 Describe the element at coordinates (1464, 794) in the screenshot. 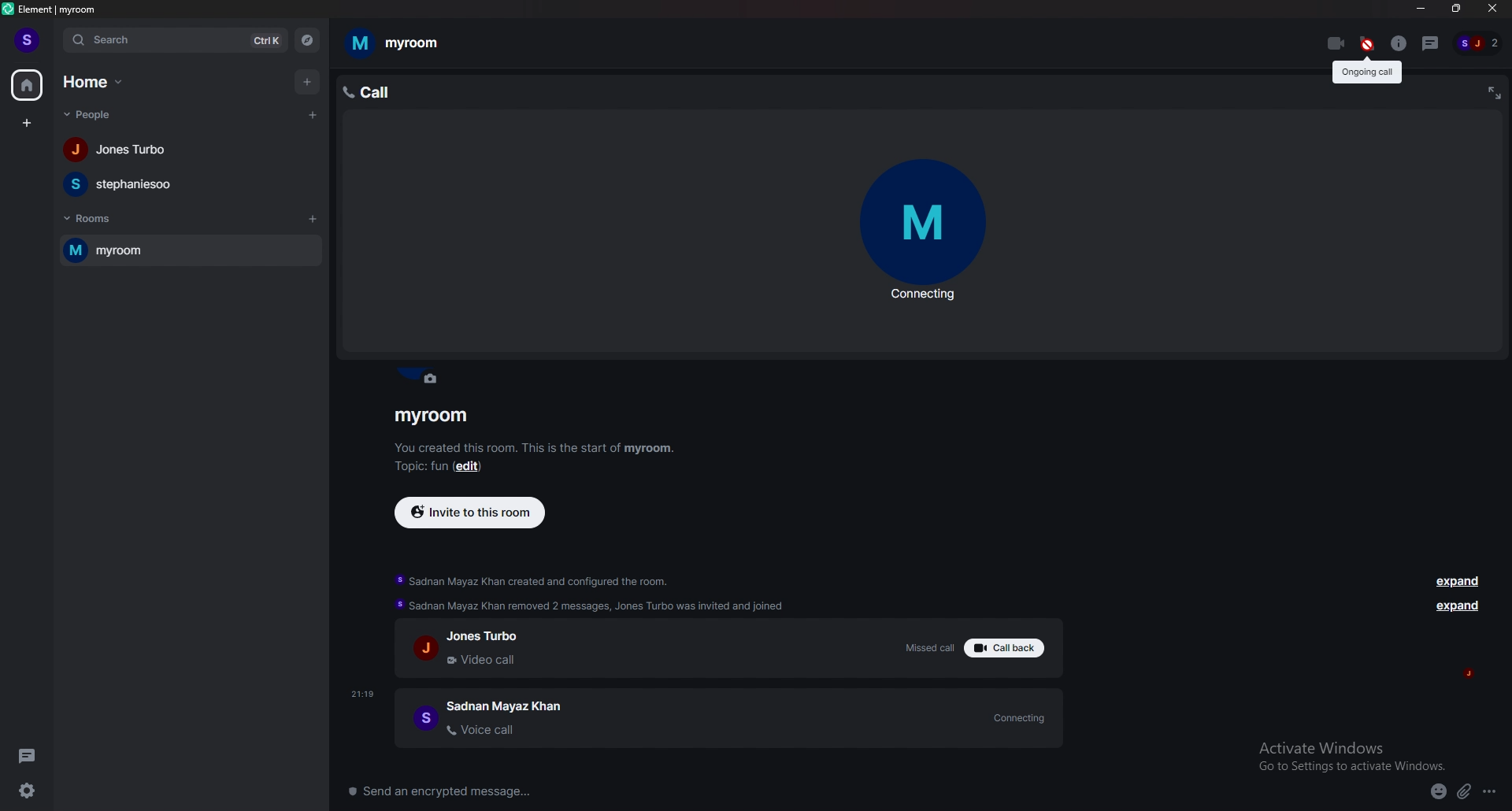

I see `attach` at that location.